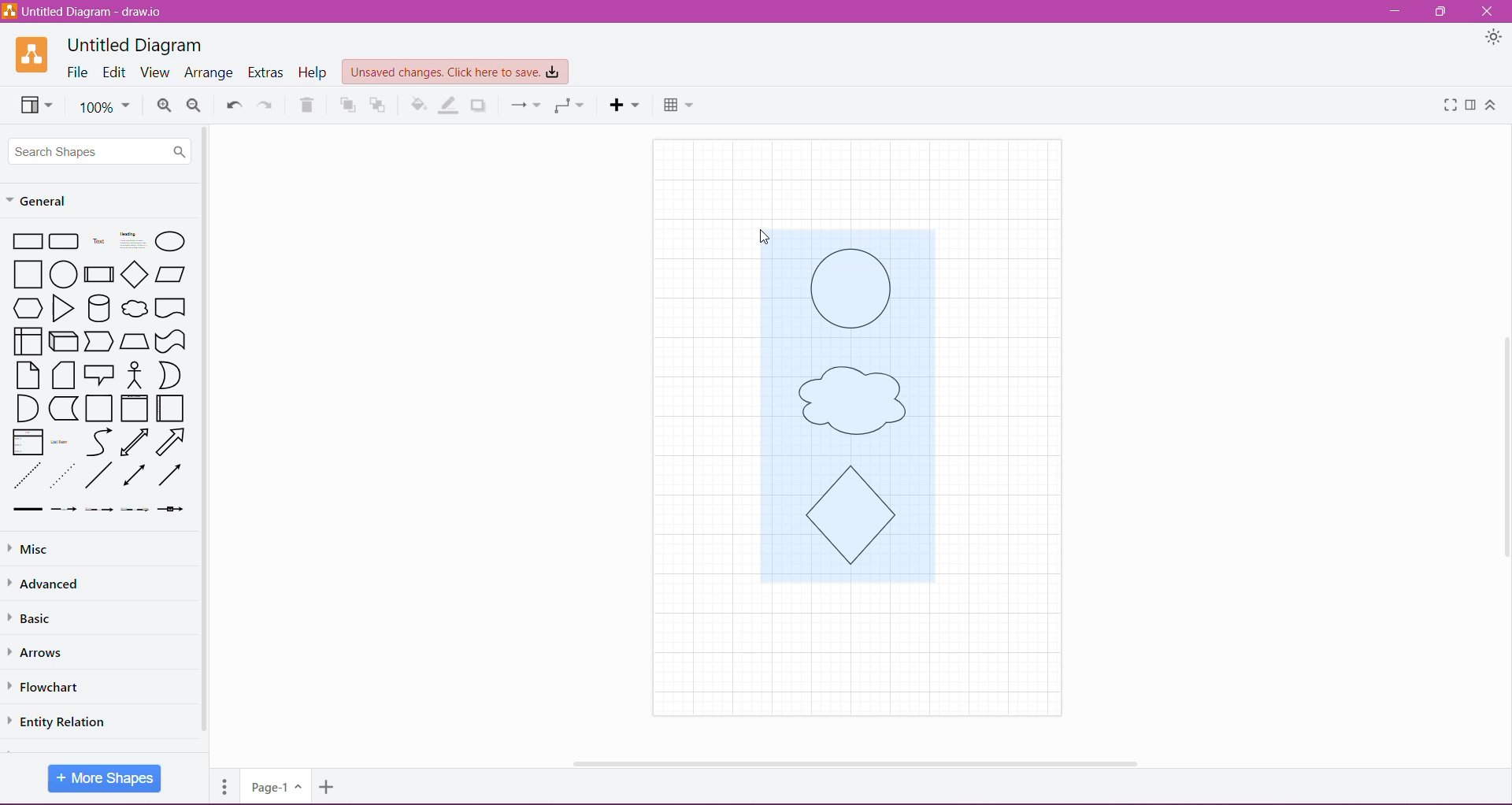  What do you see at coordinates (419, 105) in the screenshot?
I see `Fill Color` at bounding box center [419, 105].